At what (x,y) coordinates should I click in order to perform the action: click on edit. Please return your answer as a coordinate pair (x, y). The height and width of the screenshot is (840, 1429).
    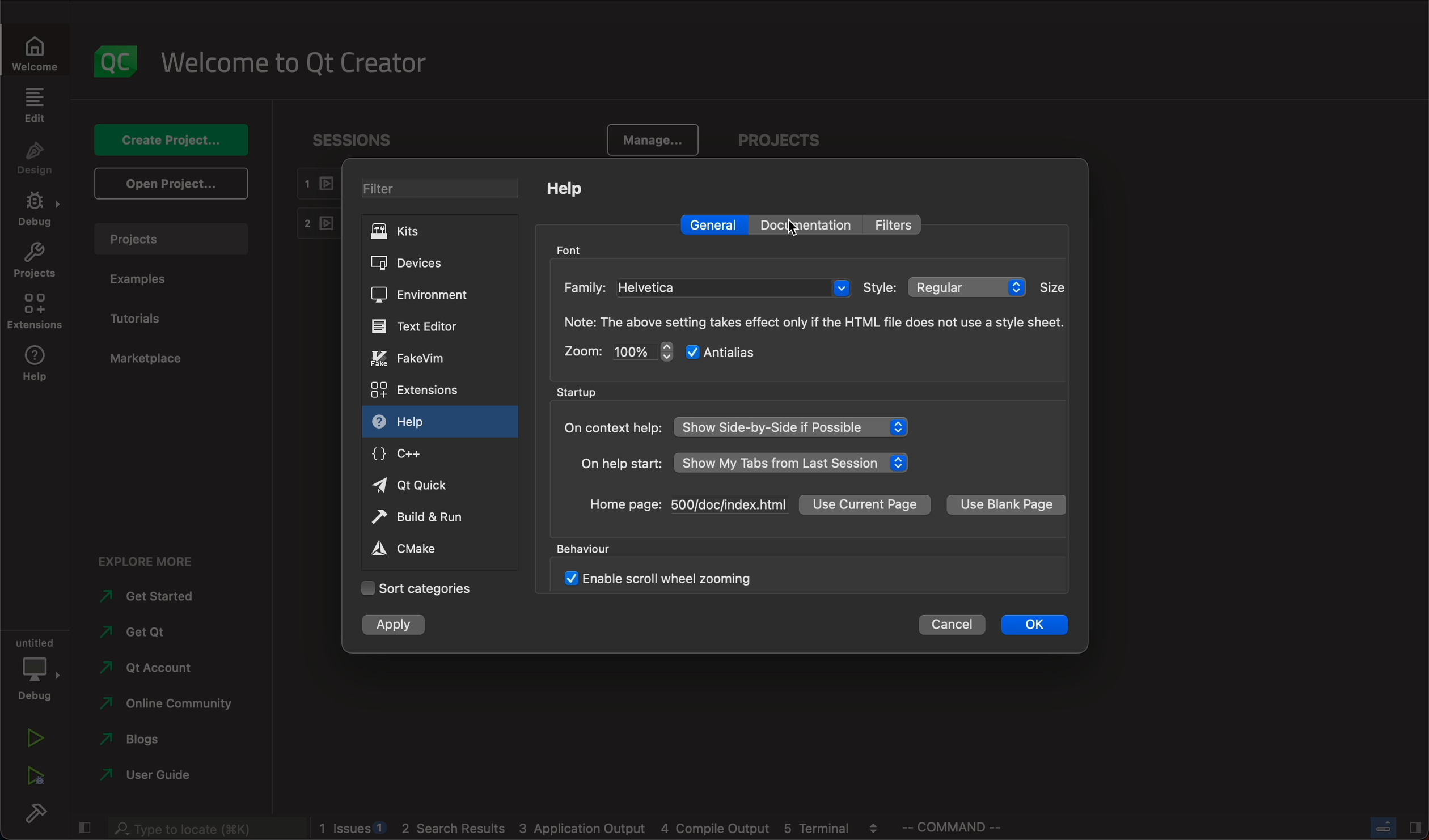
    Looking at the image, I should click on (38, 108).